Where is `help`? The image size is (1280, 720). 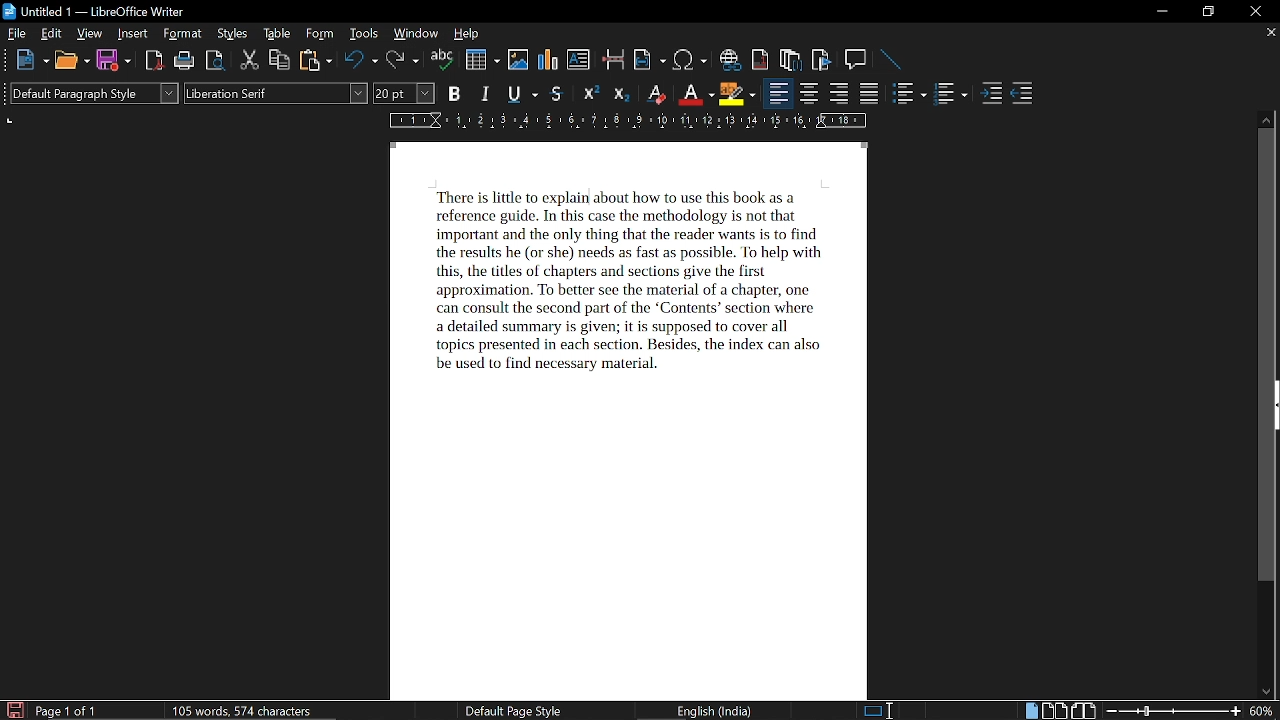
help is located at coordinates (464, 34).